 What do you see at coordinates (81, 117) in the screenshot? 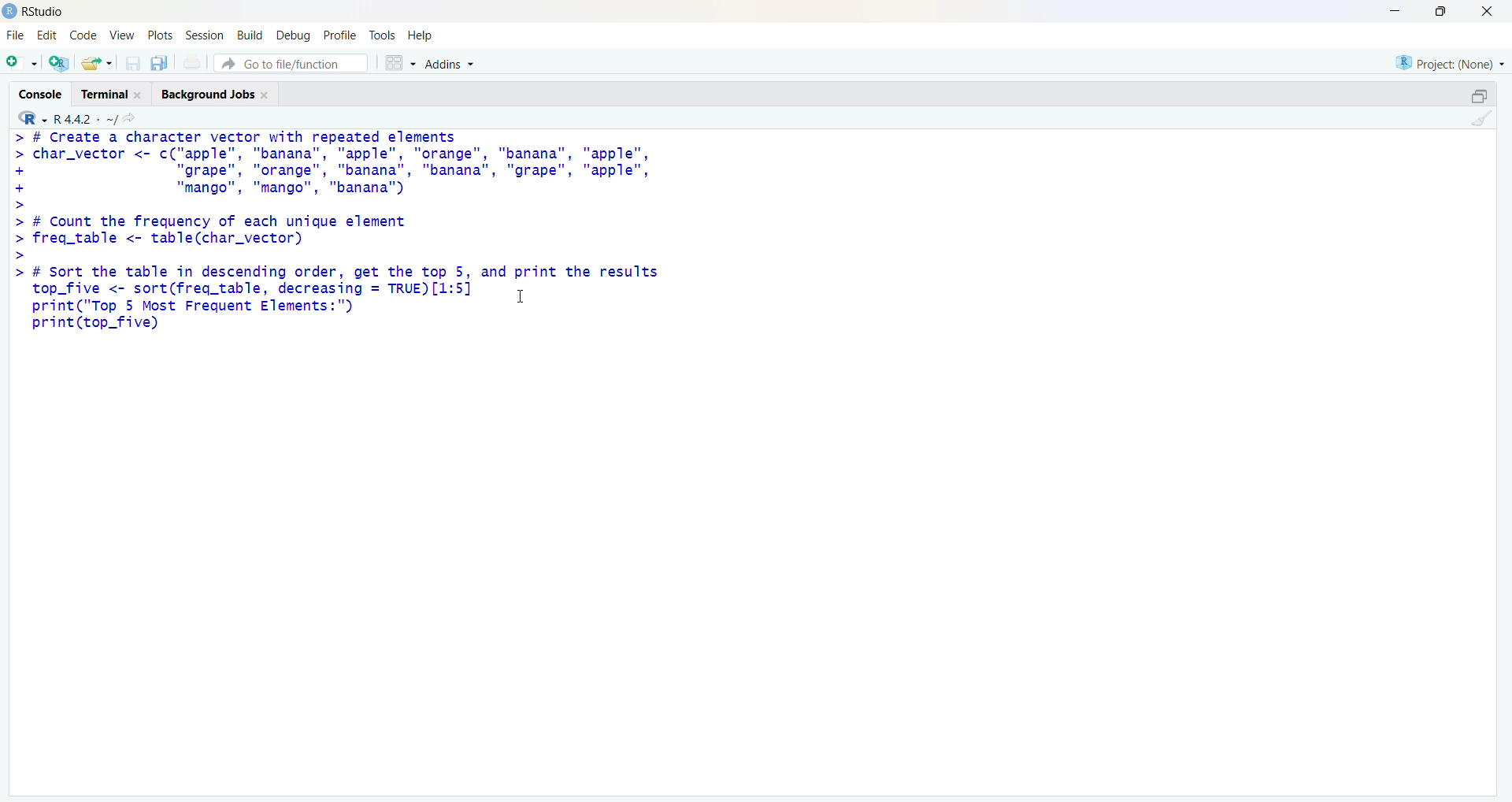
I see `R 4.2.2~/` at bounding box center [81, 117].